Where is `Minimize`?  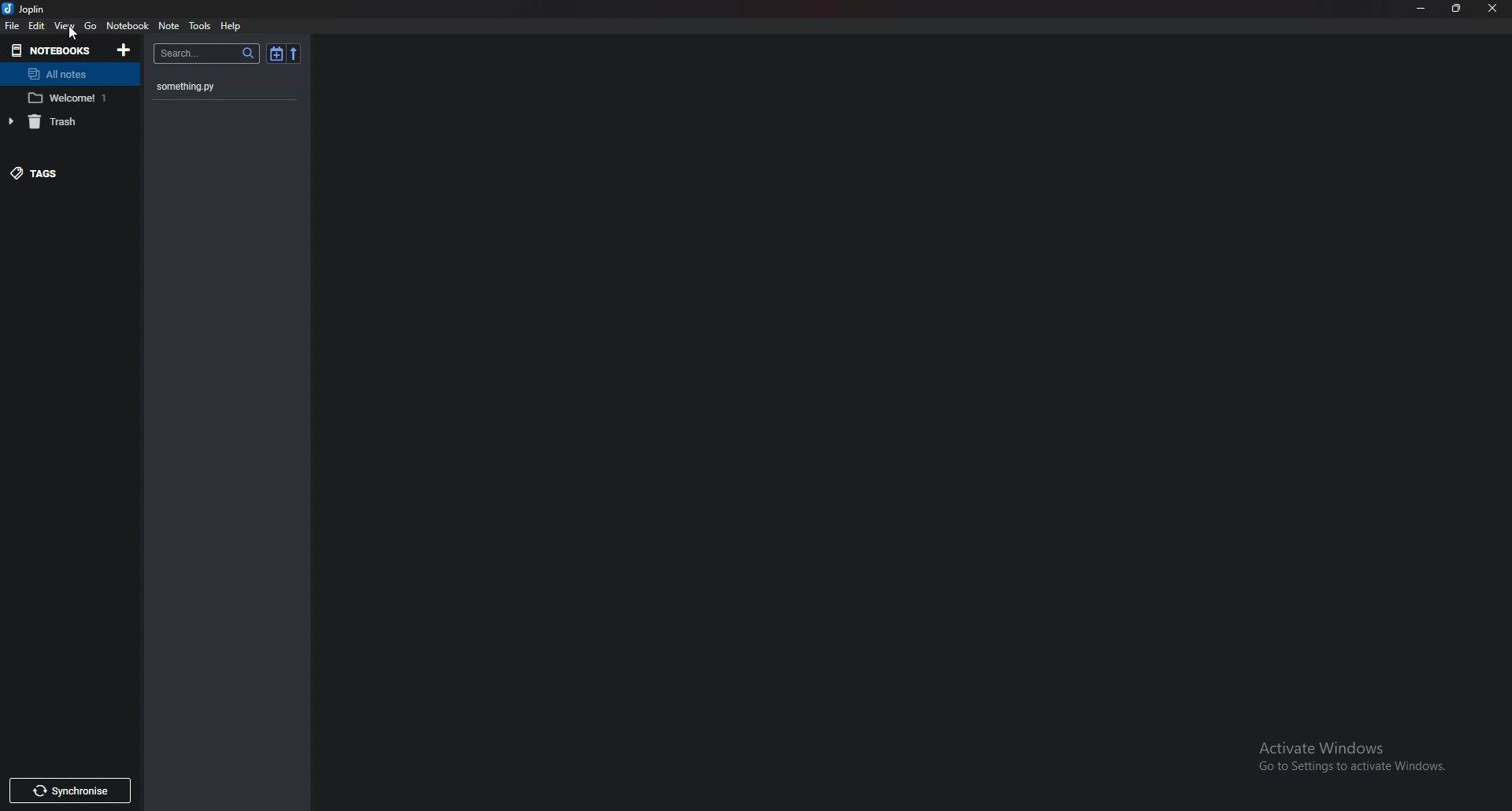 Minimize is located at coordinates (1423, 9).